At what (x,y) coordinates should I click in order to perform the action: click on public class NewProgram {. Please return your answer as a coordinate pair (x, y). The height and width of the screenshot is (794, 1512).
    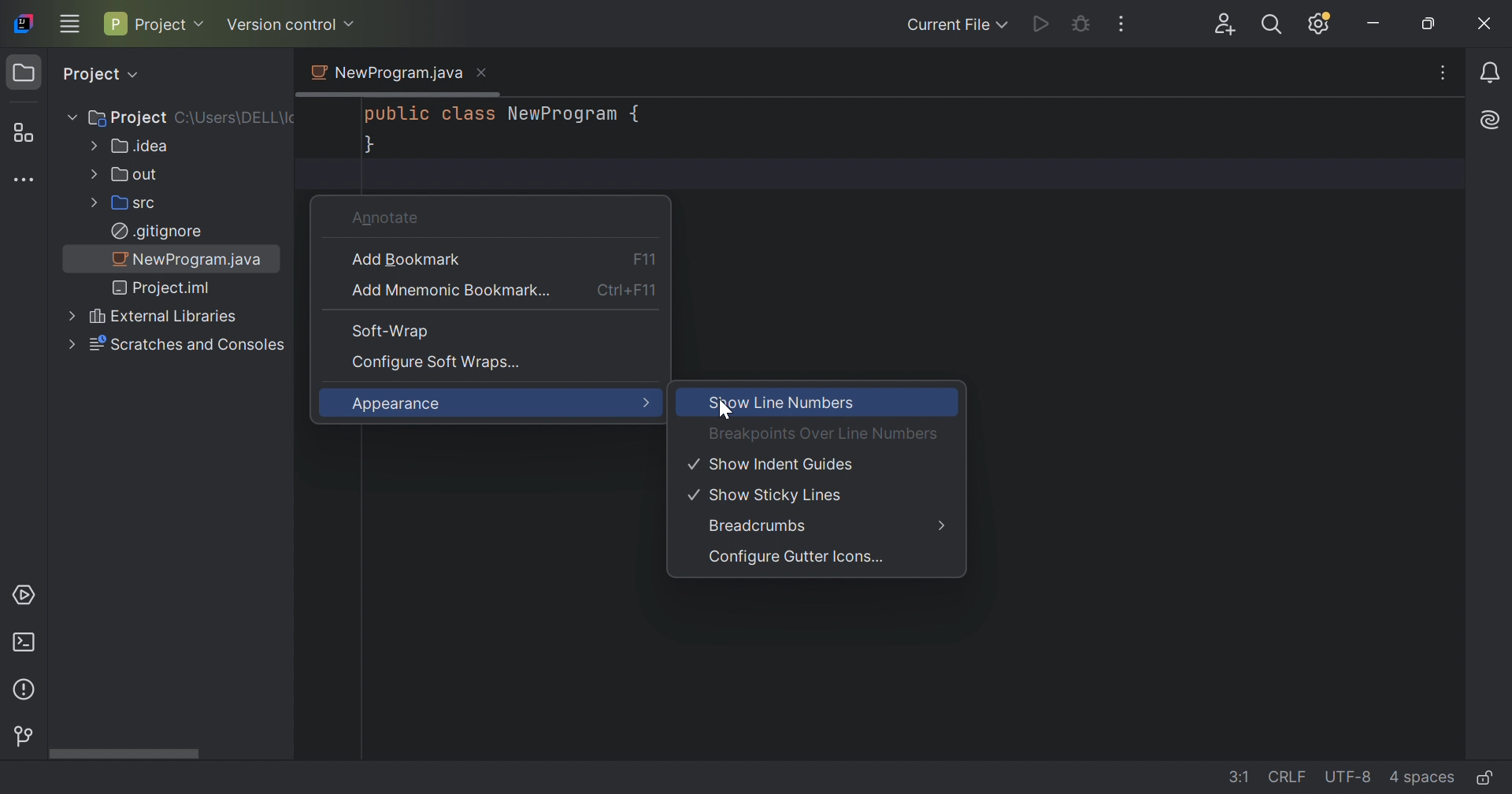
    Looking at the image, I should click on (506, 114).